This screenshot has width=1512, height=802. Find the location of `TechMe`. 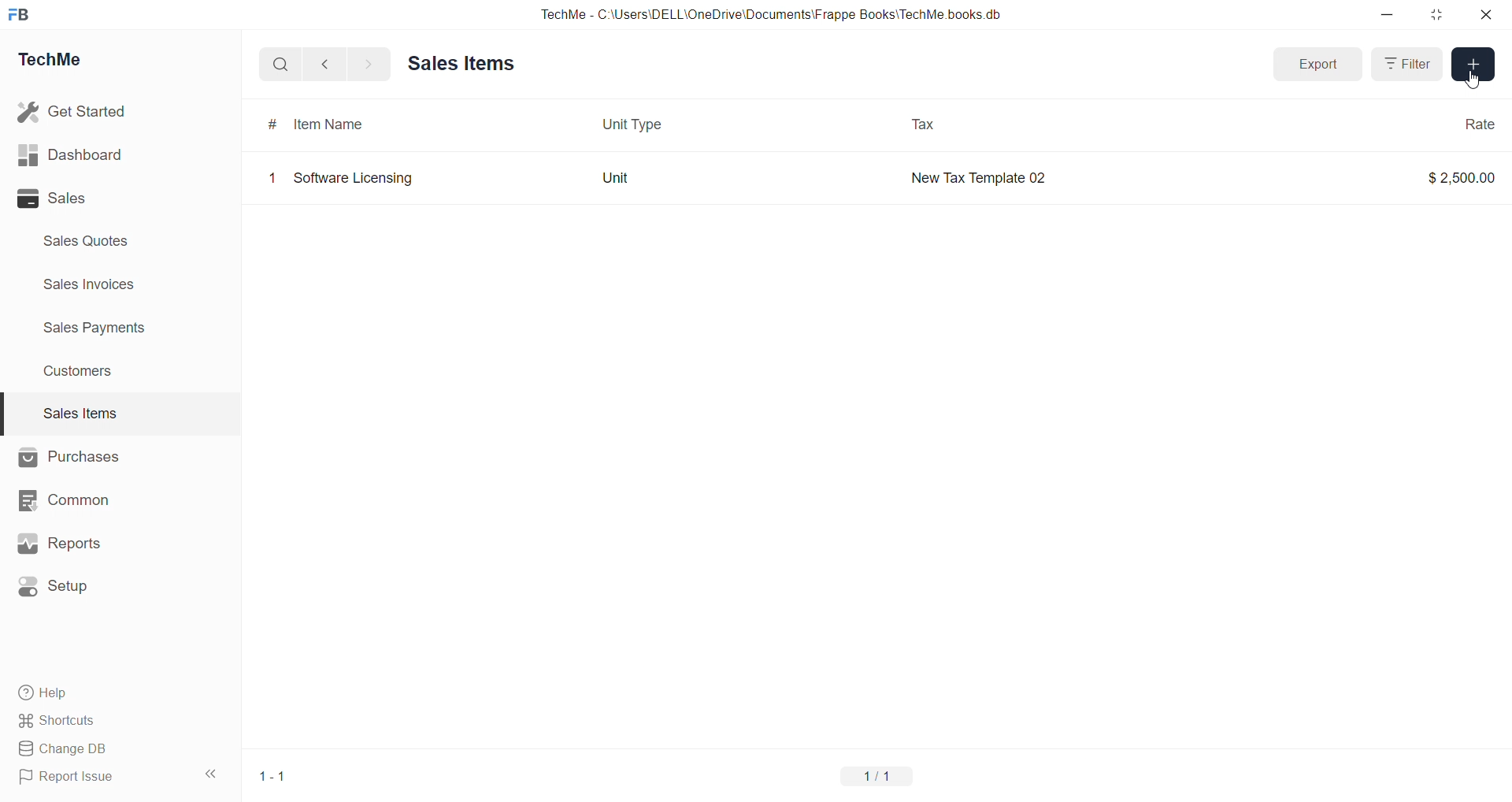

TechMe is located at coordinates (55, 58).